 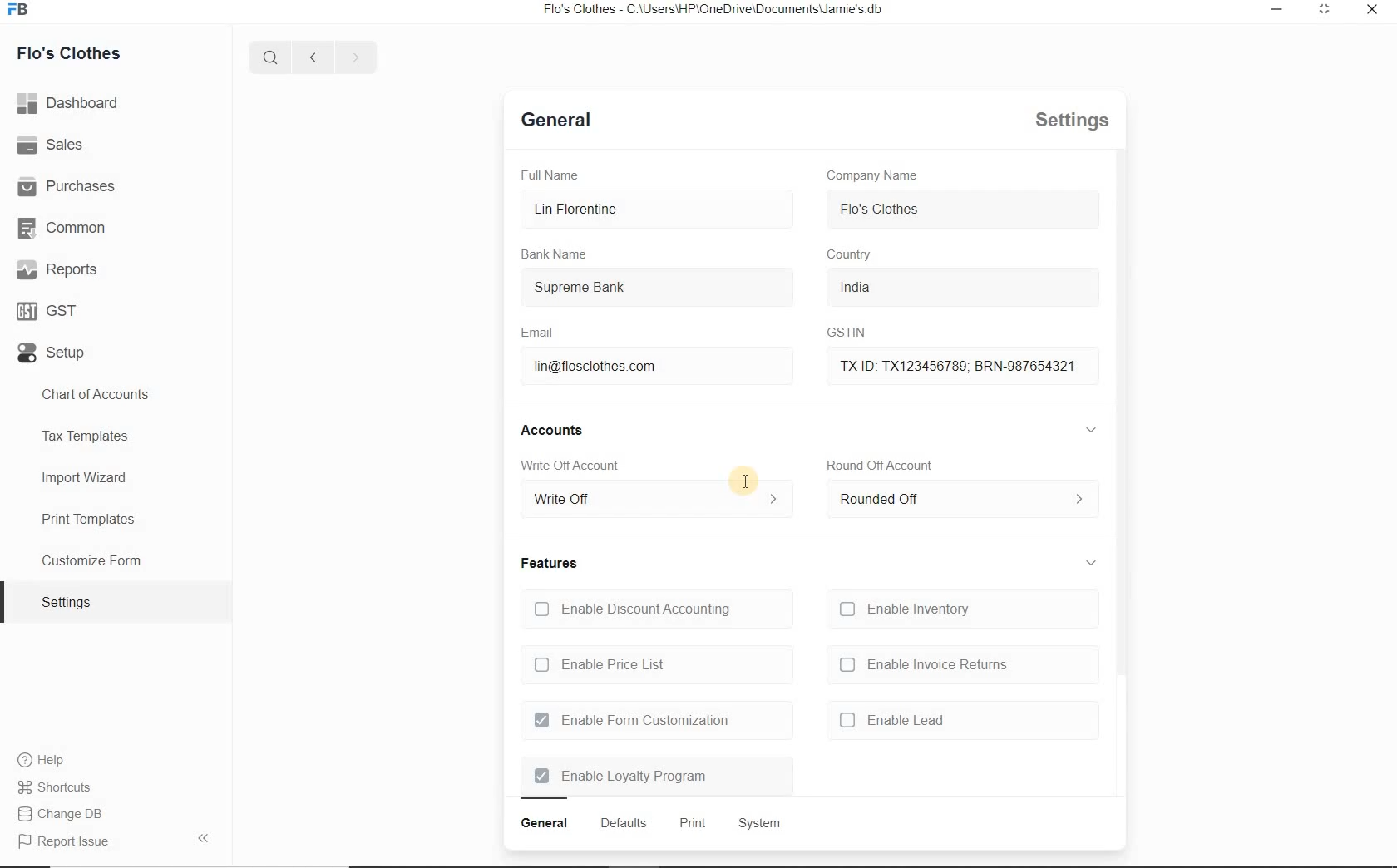 What do you see at coordinates (697, 824) in the screenshot?
I see `Print` at bounding box center [697, 824].